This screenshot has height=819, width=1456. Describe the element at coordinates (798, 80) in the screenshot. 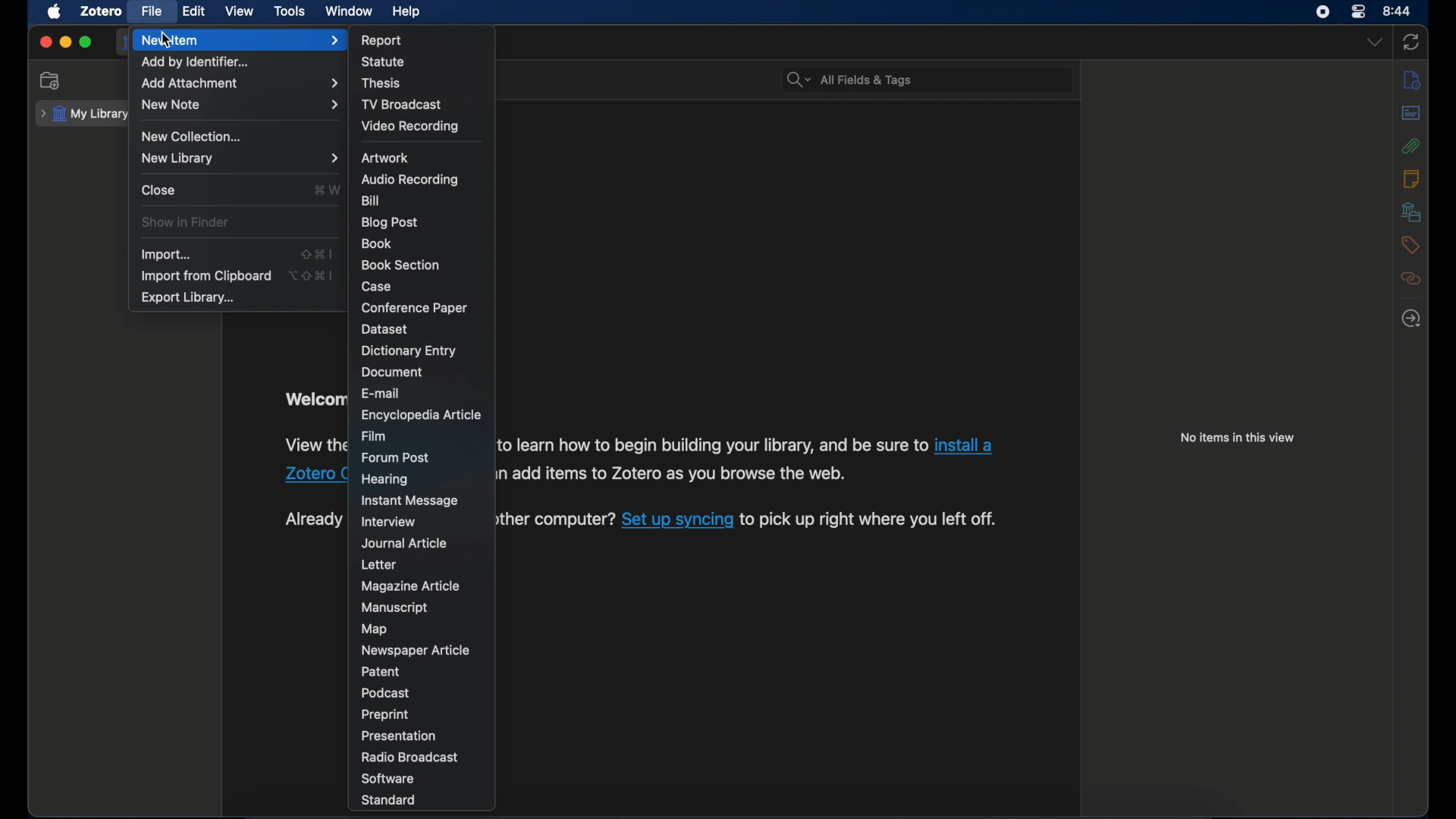

I see `search dropdown` at that location.